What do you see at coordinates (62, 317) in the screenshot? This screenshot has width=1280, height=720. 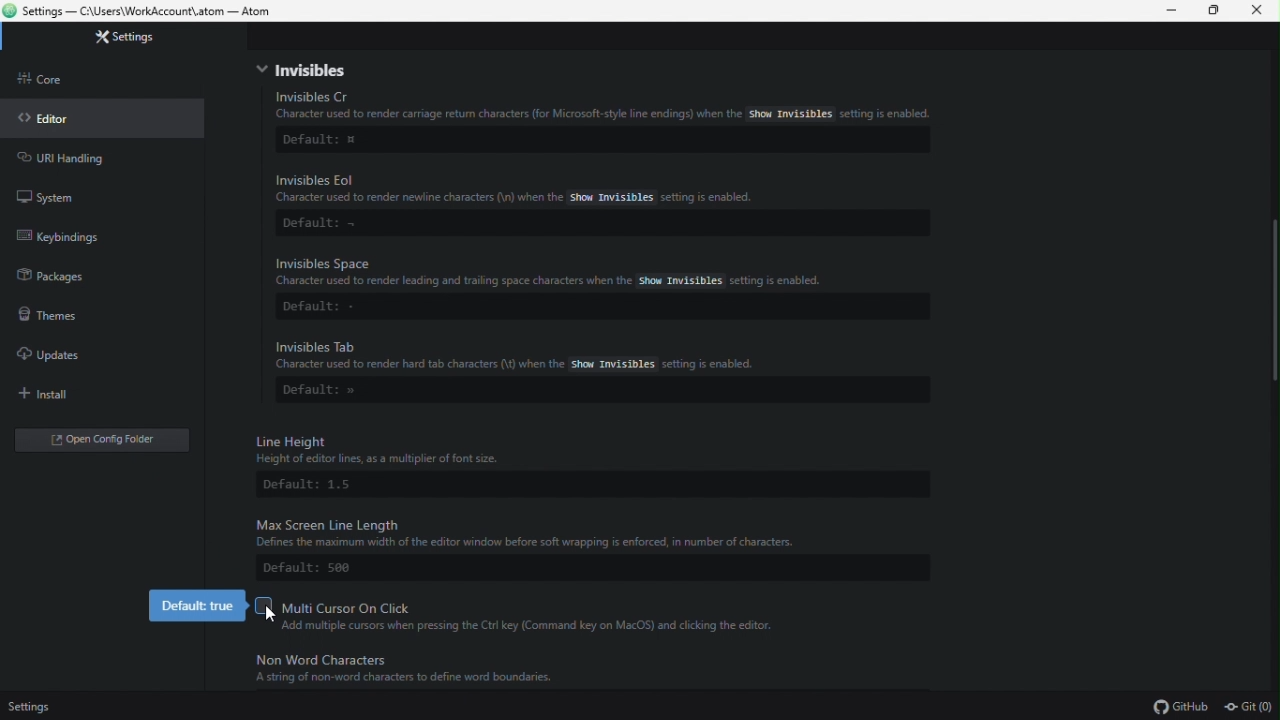 I see `Theme` at bounding box center [62, 317].